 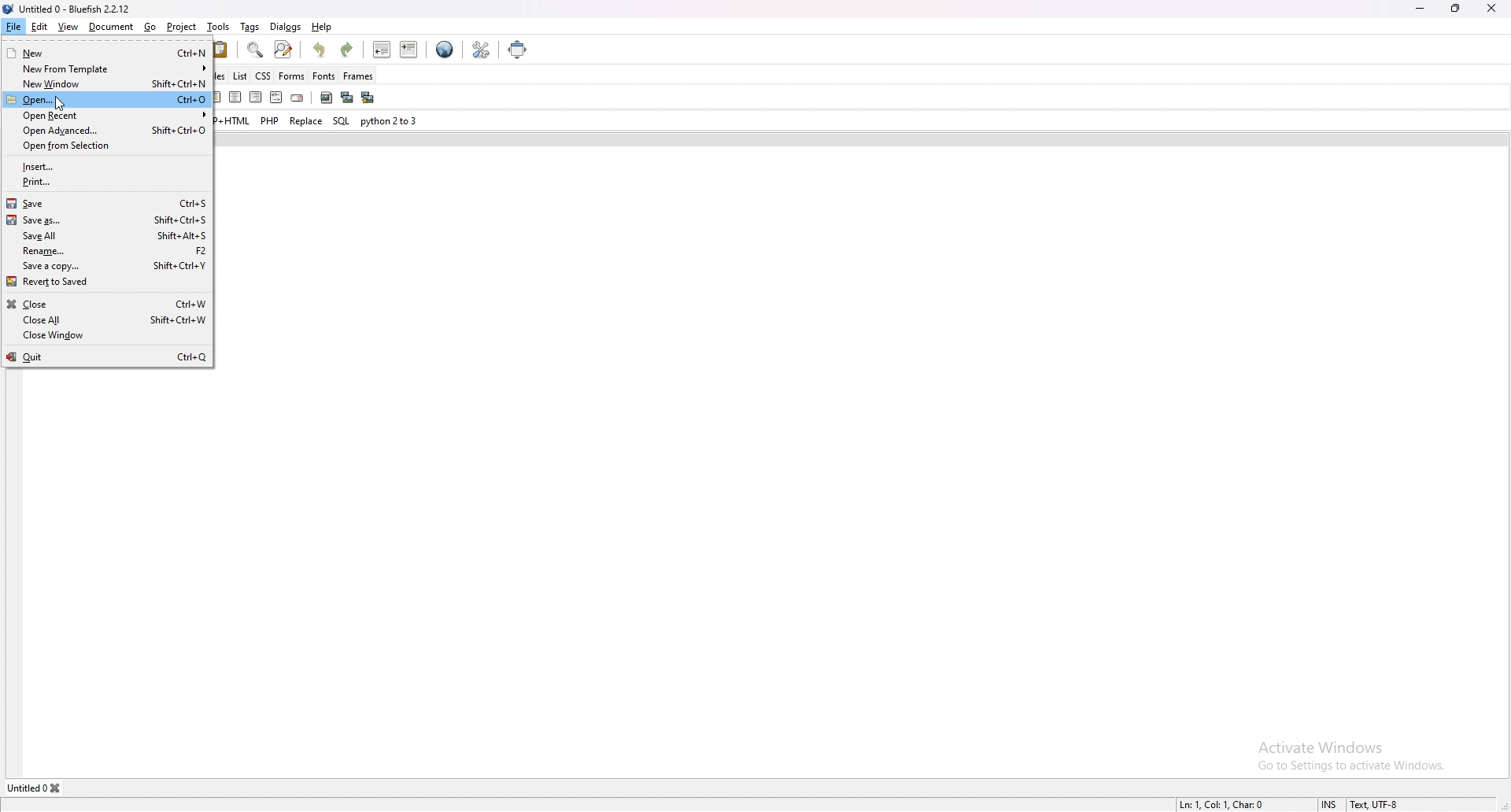 What do you see at coordinates (181, 221) in the screenshot?
I see `Shift+Ctrl+S` at bounding box center [181, 221].